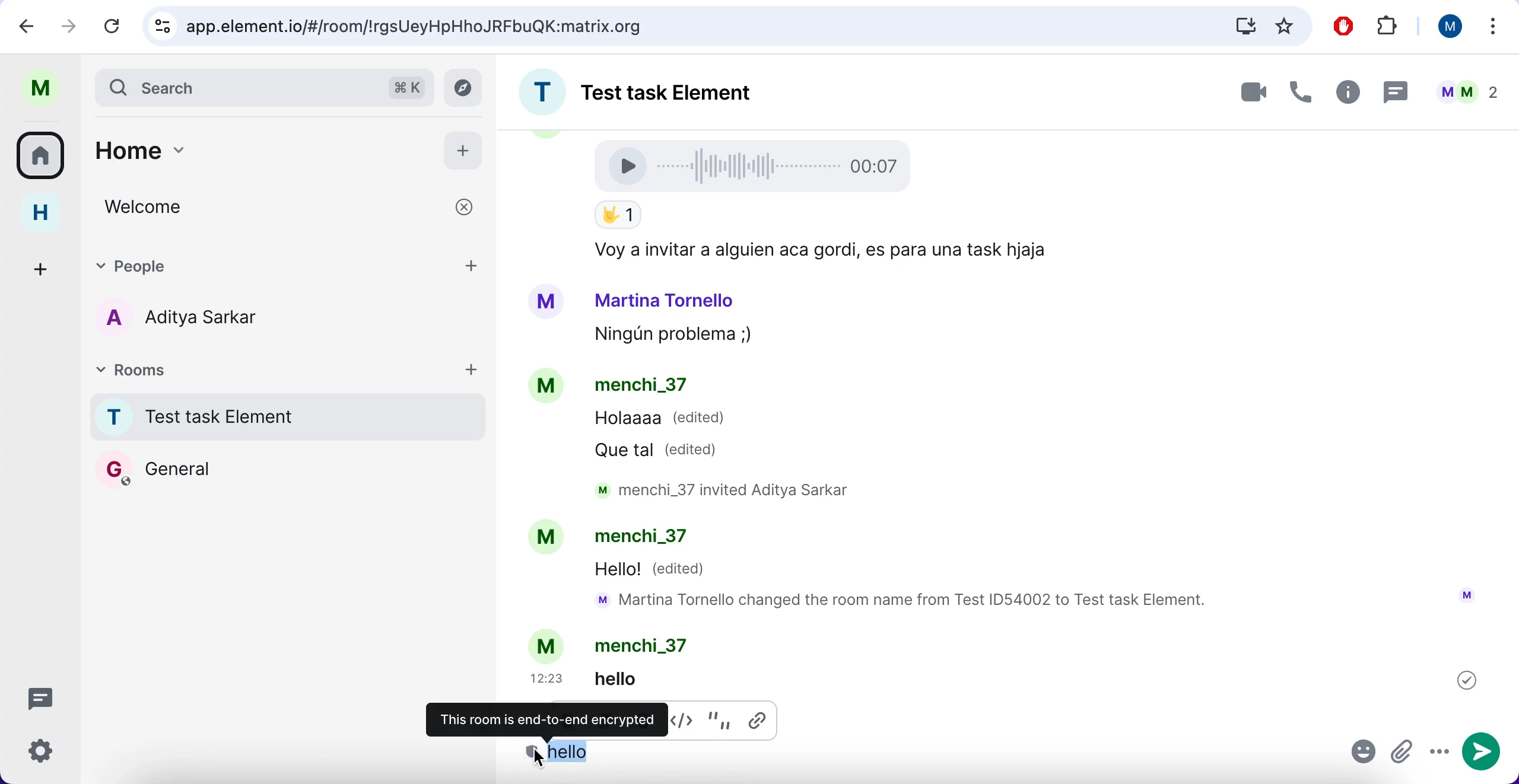 This screenshot has height=784, width=1519. What do you see at coordinates (1467, 595) in the screenshot?
I see `User Icon` at bounding box center [1467, 595].